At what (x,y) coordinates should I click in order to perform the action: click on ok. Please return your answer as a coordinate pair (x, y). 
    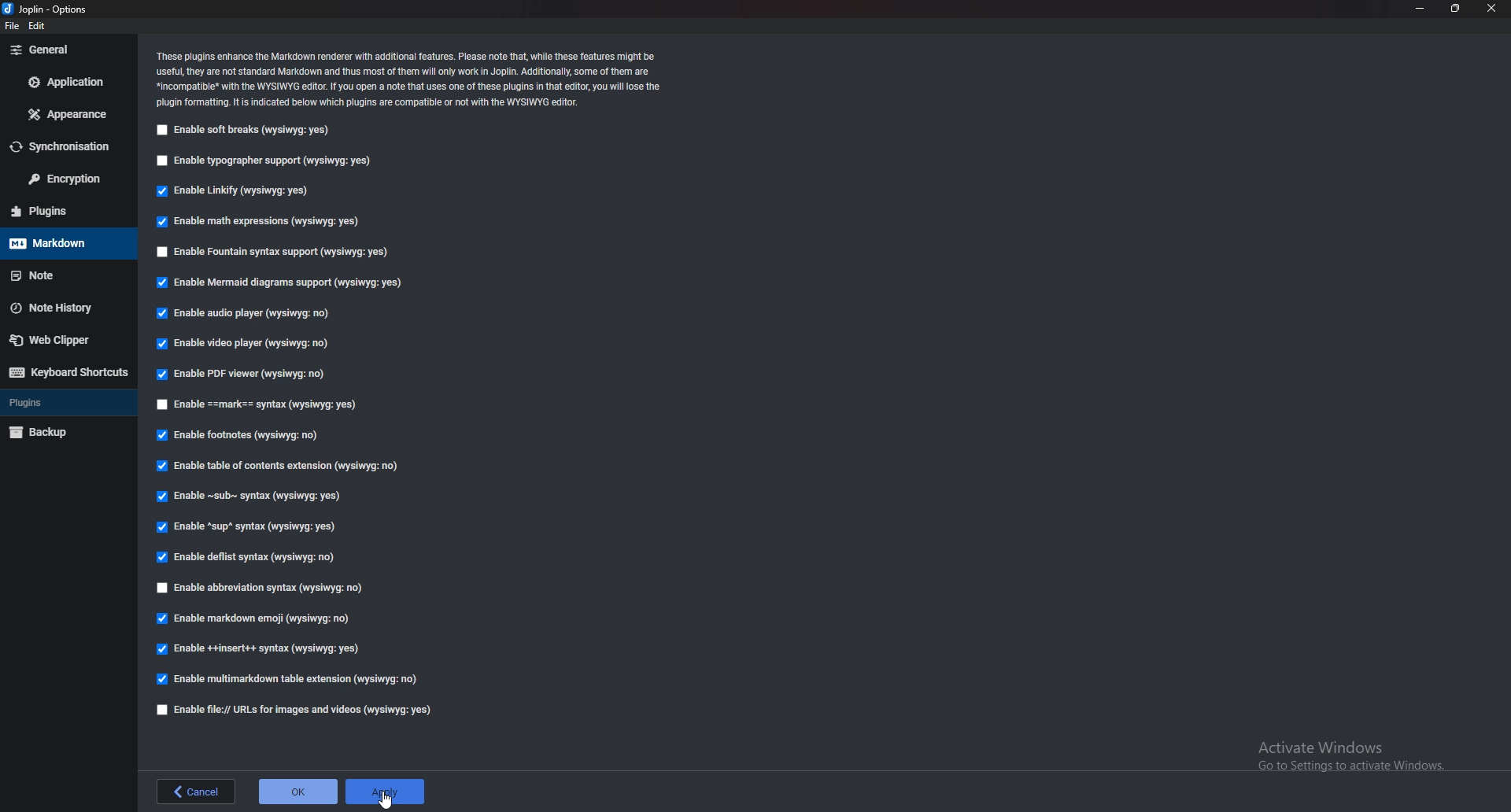
    Looking at the image, I should click on (297, 792).